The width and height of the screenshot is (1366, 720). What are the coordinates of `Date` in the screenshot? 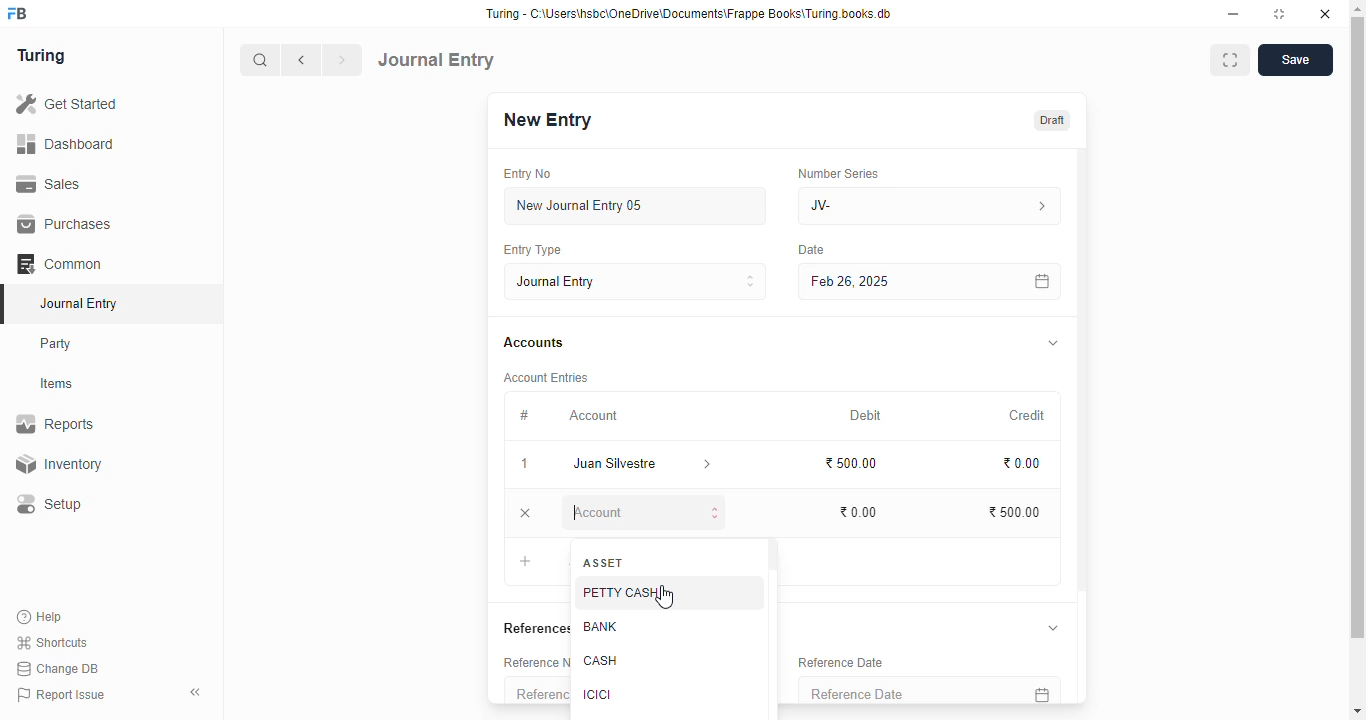 It's located at (812, 249).